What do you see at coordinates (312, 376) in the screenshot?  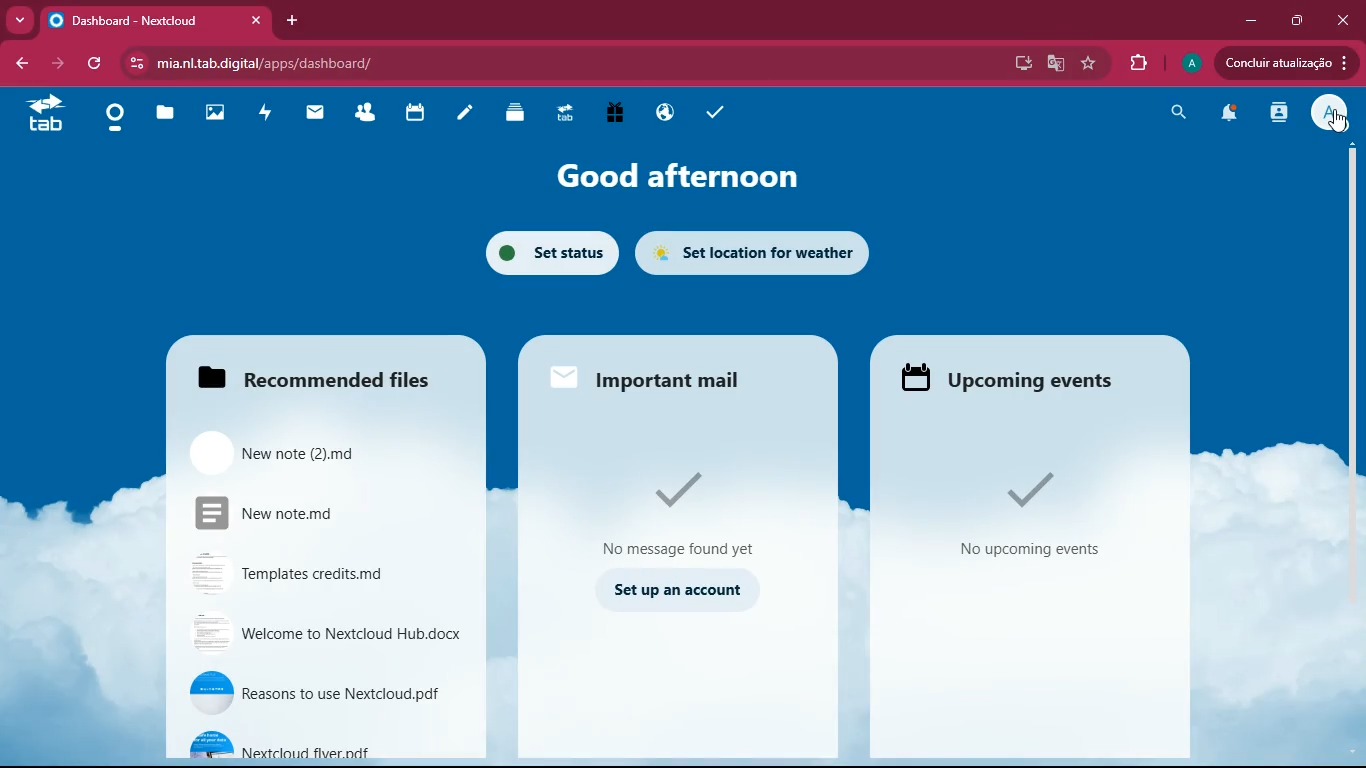 I see `Recommended files` at bounding box center [312, 376].